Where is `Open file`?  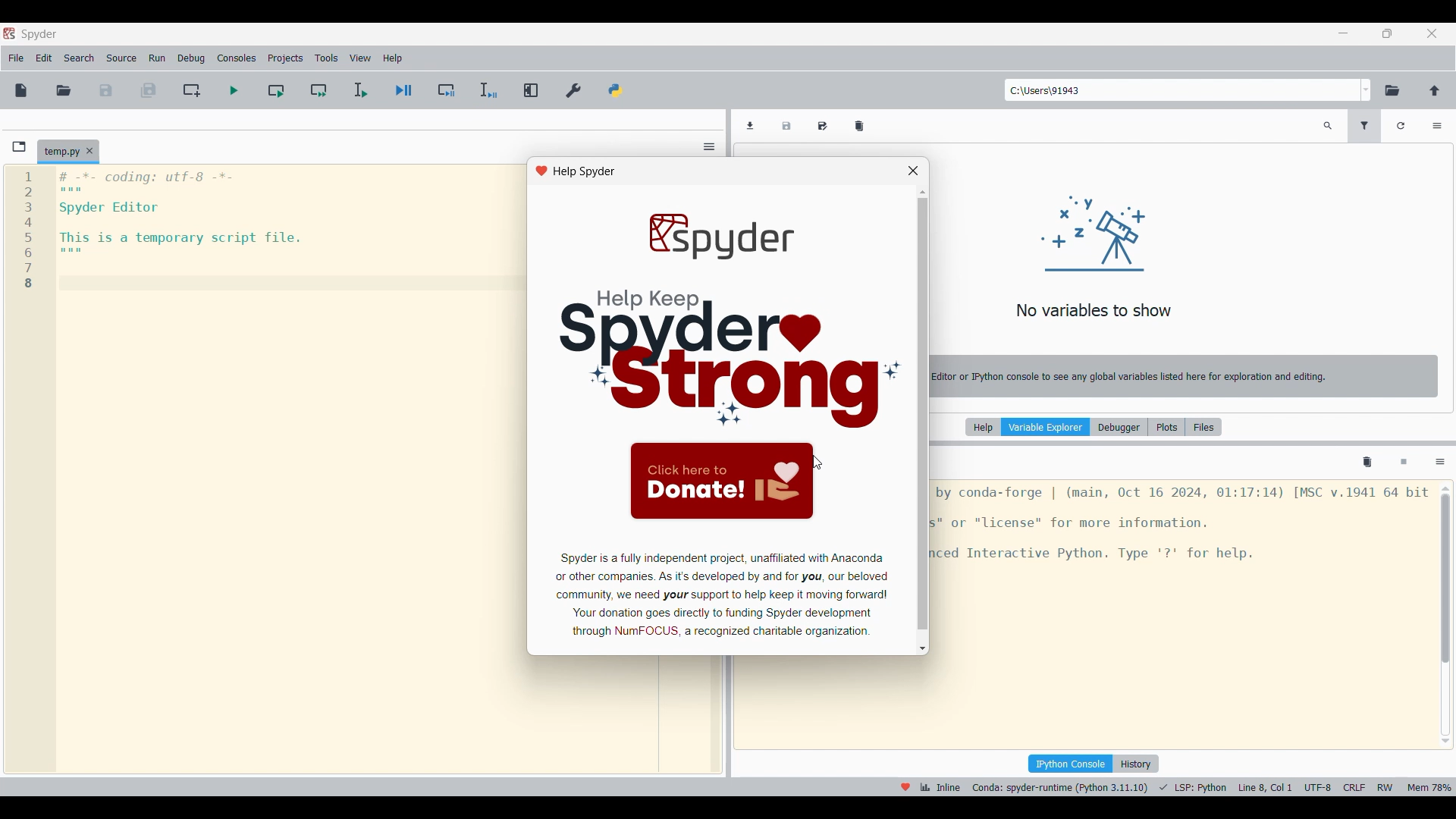 Open file is located at coordinates (64, 90).